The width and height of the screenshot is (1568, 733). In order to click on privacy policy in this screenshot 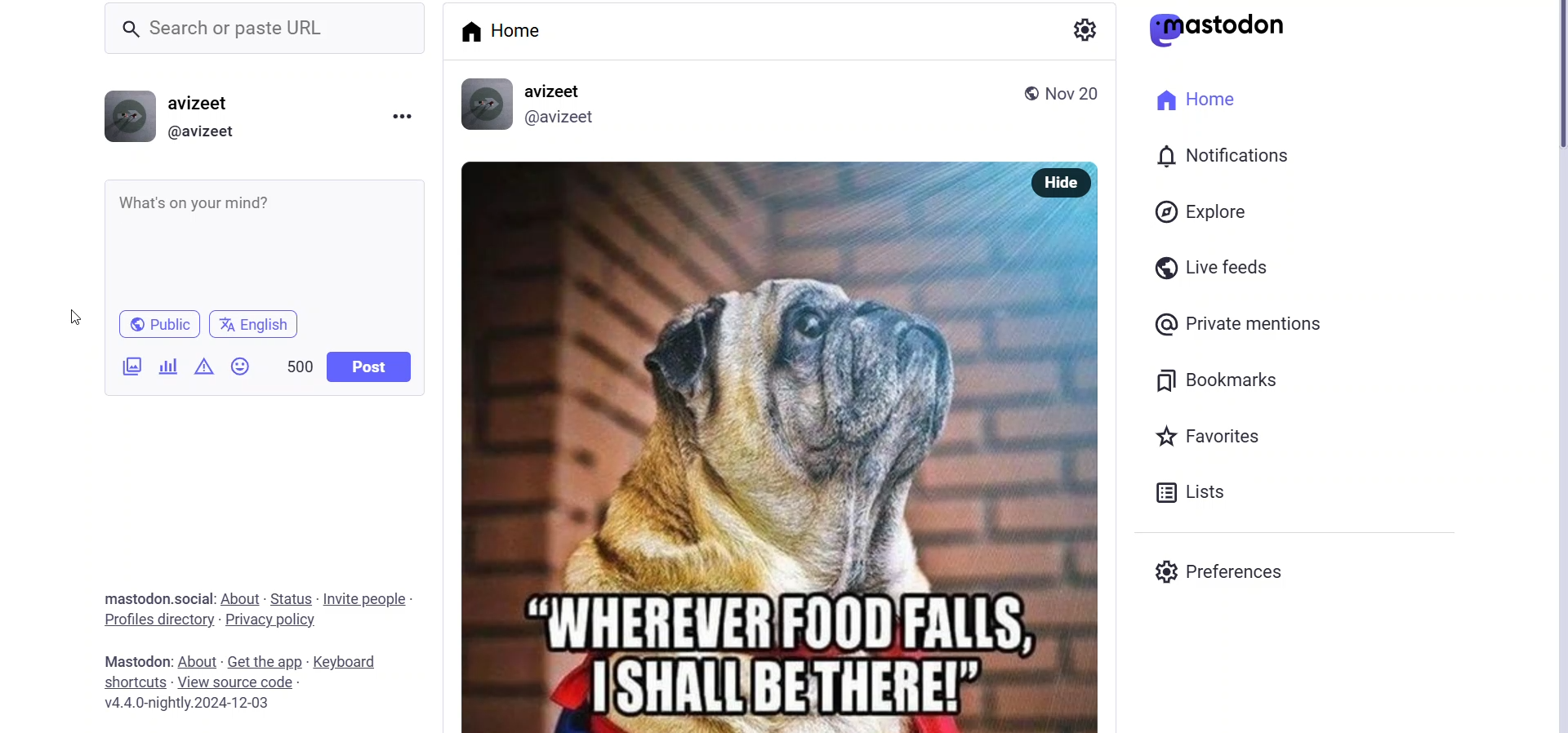, I will do `click(273, 622)`.